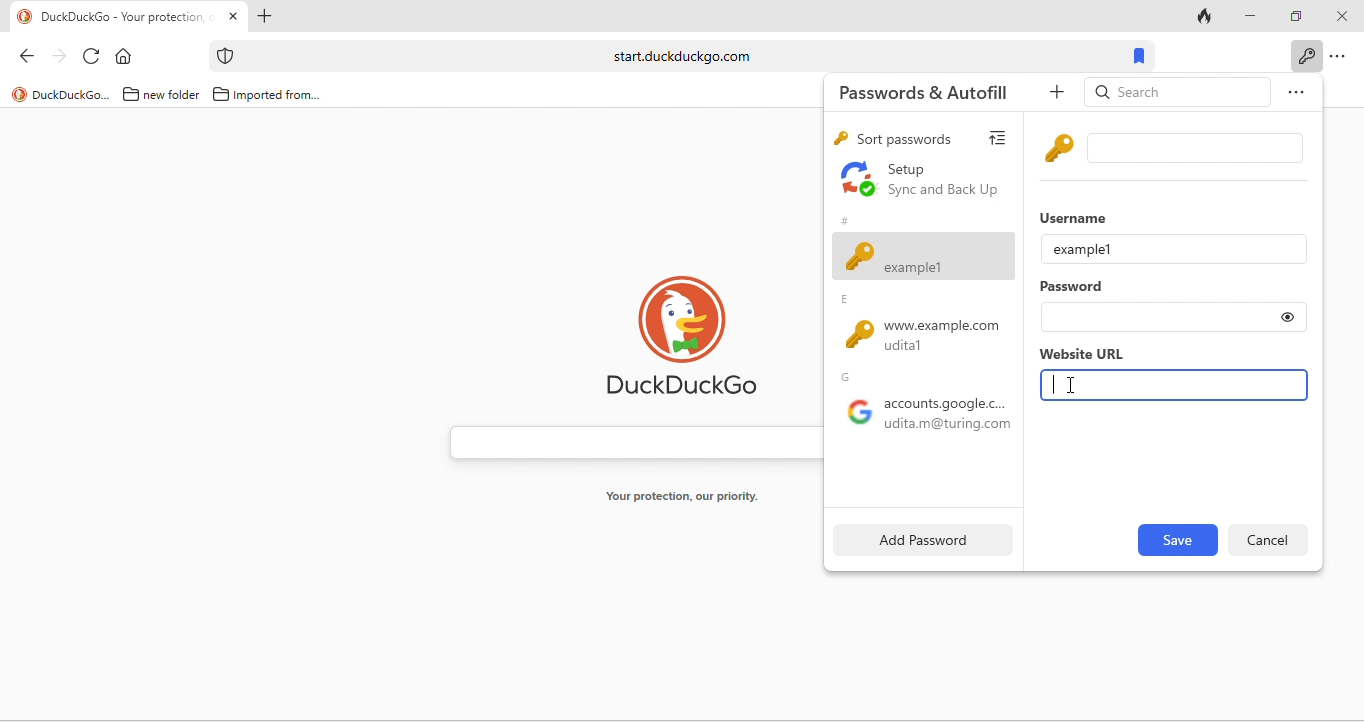 The height and width of the screenshot is (722, 1364). What do you see at coordinates (72, 96) in the screenshot?
I see `duckduckgo...` at bounding box center [72, 96].